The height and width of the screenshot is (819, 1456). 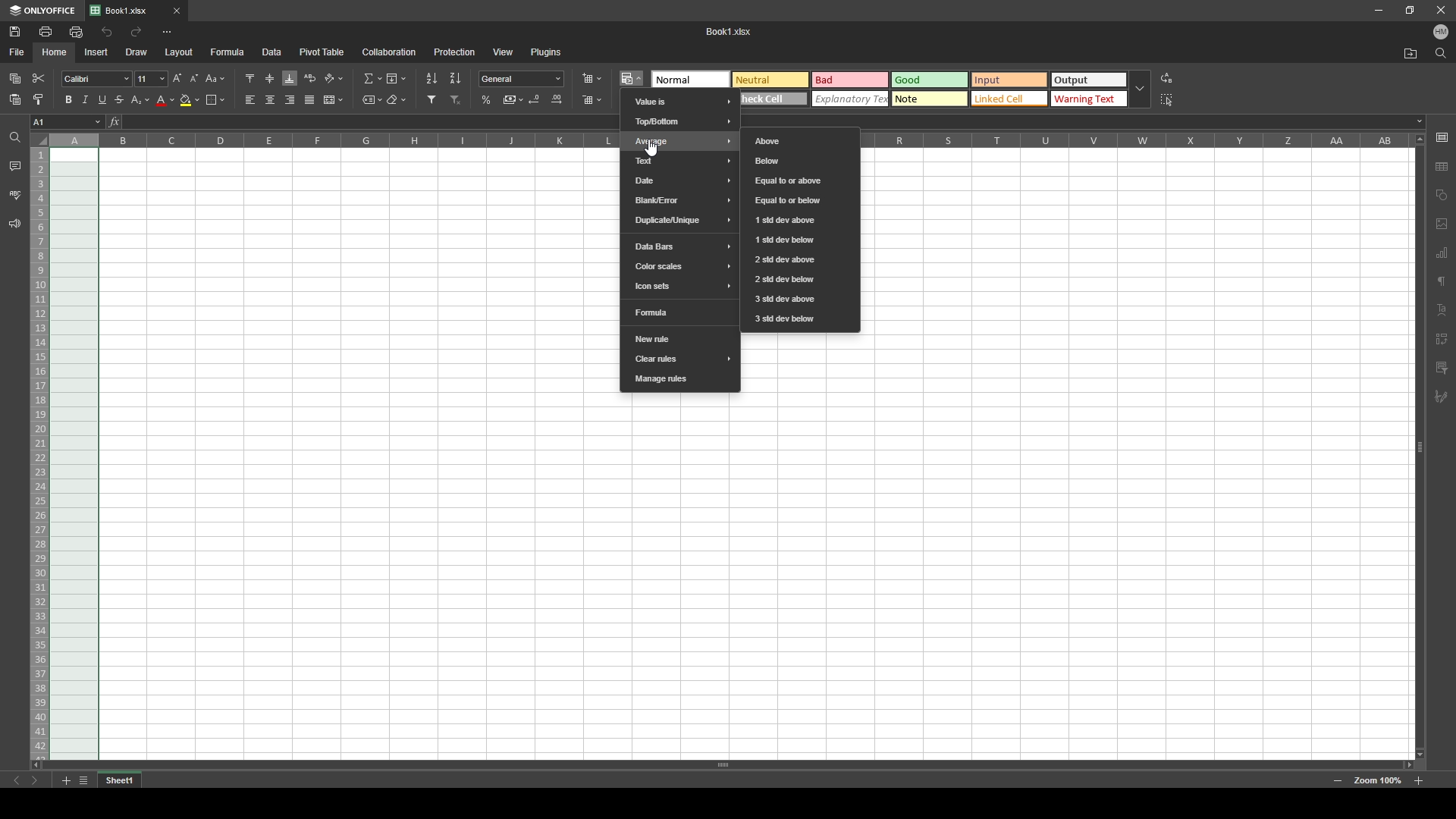 What do you see at coordinates (272, 51) in the screenshot?
I see `data` at bounding box center [272, 51].